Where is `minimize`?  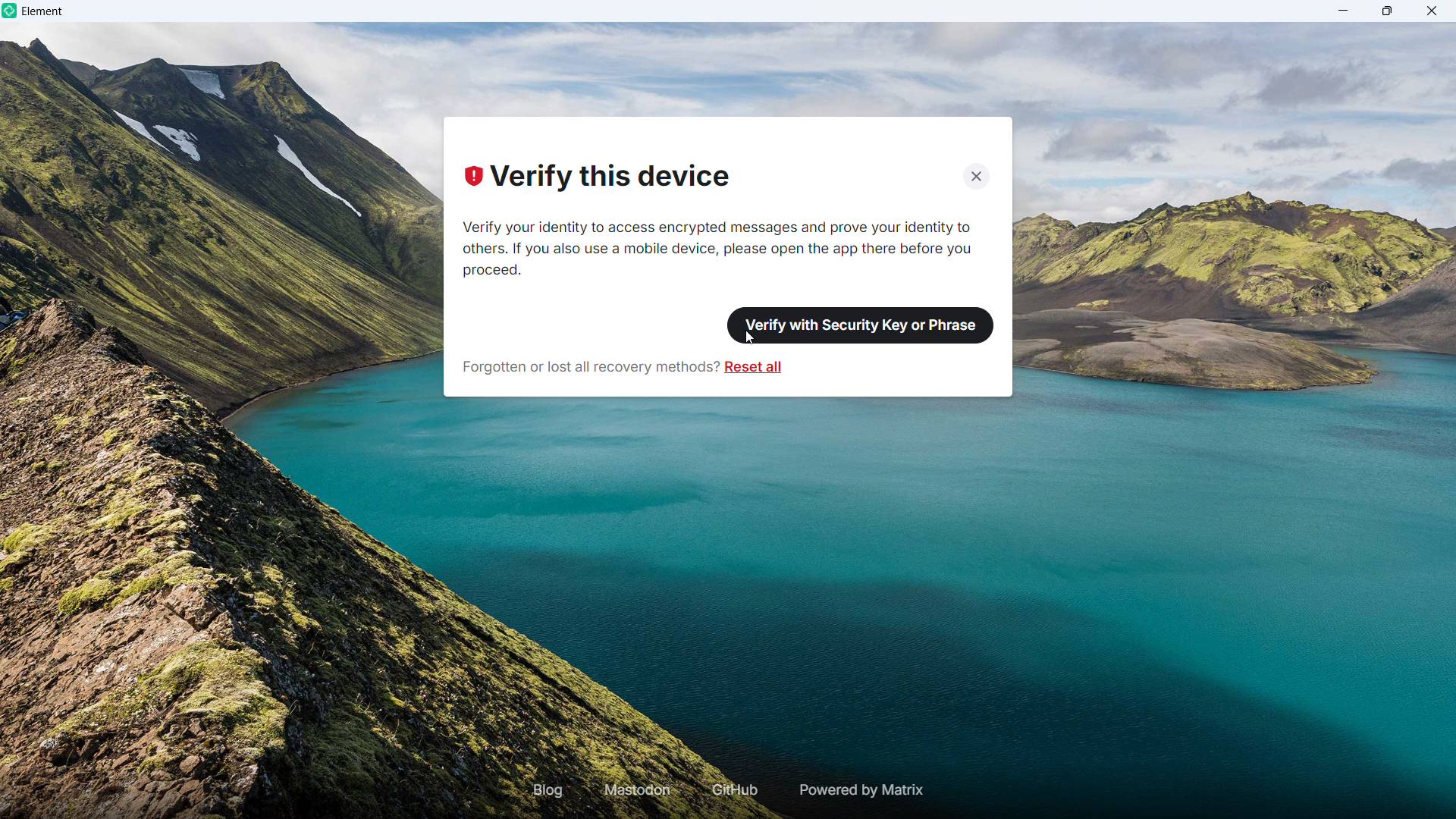
minimize is located at coordinates (1344, 11).